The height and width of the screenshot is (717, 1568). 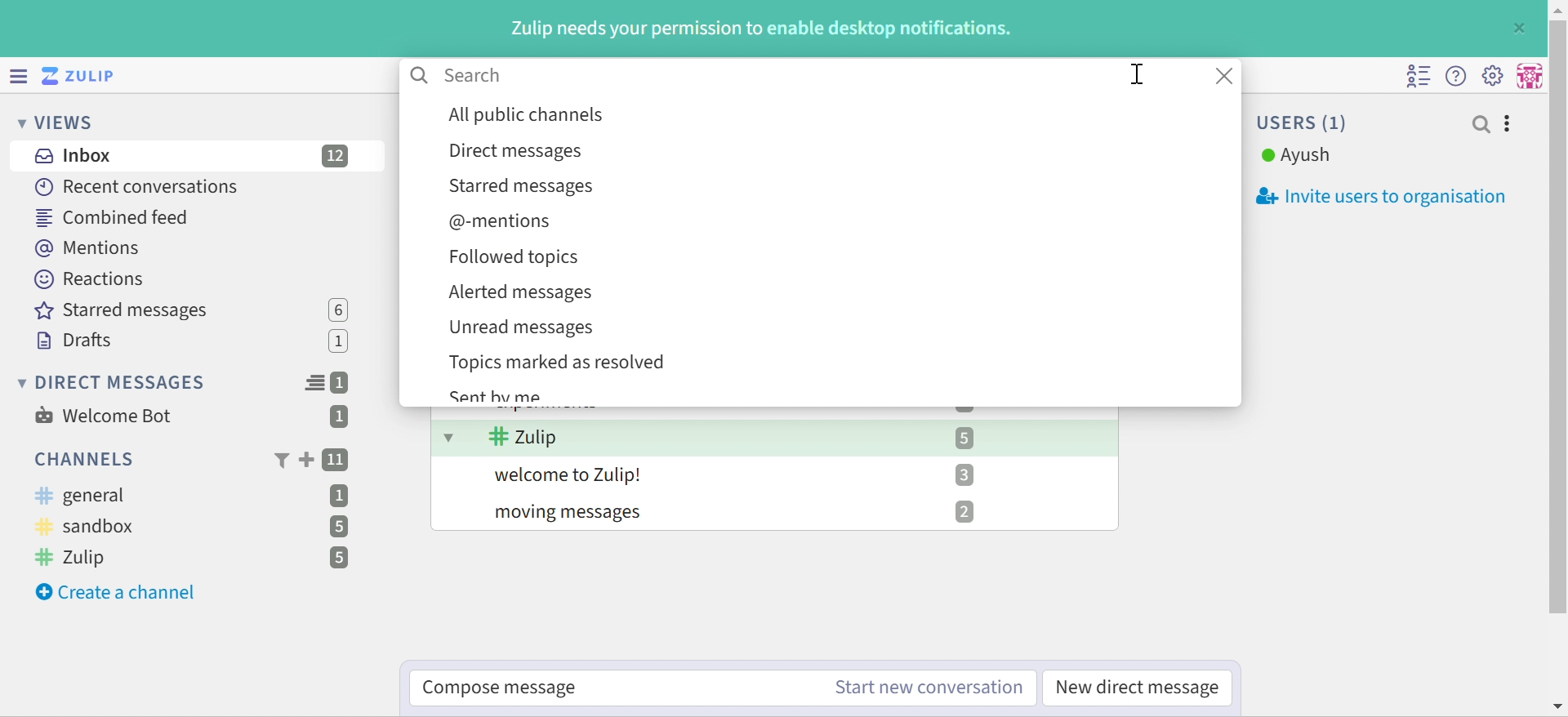 What do you see at coordinates (305, 460) in the screenshot?
I see `Add channels` at bounding box center [305, 460].